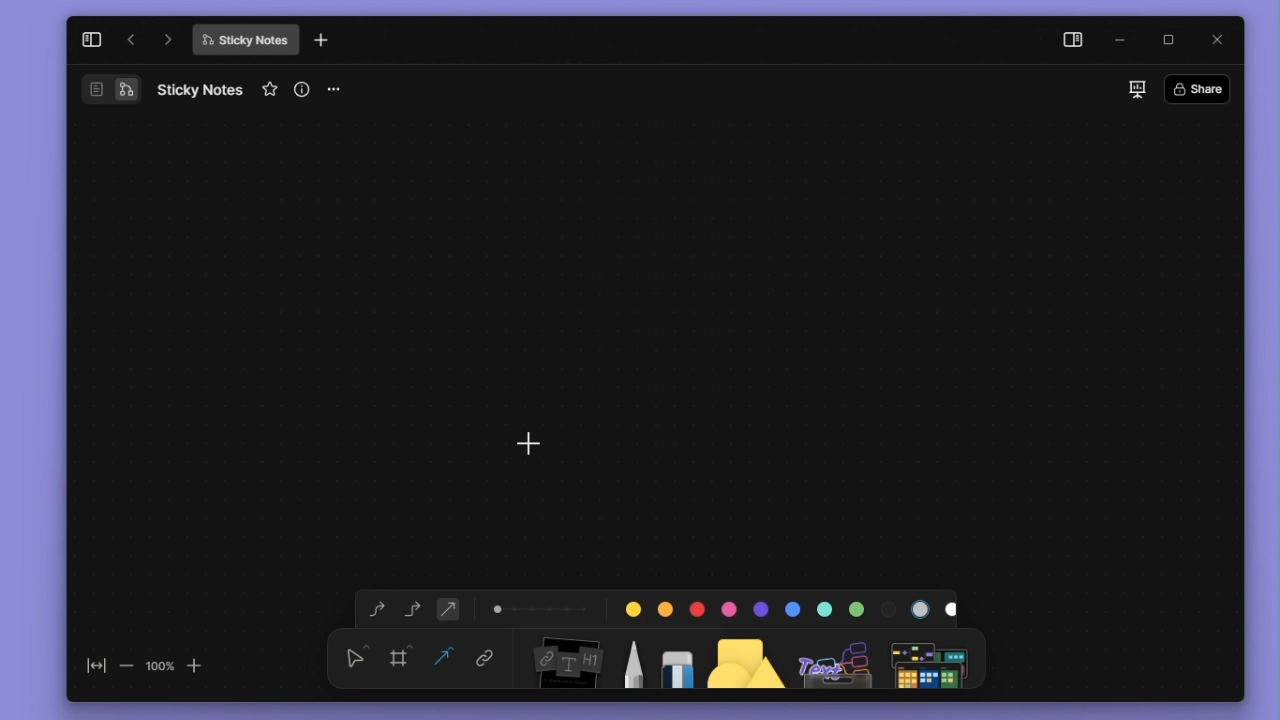 This screenshot has height=720, width=1280. I want to click on collapse sidebar, so click(91, 39).